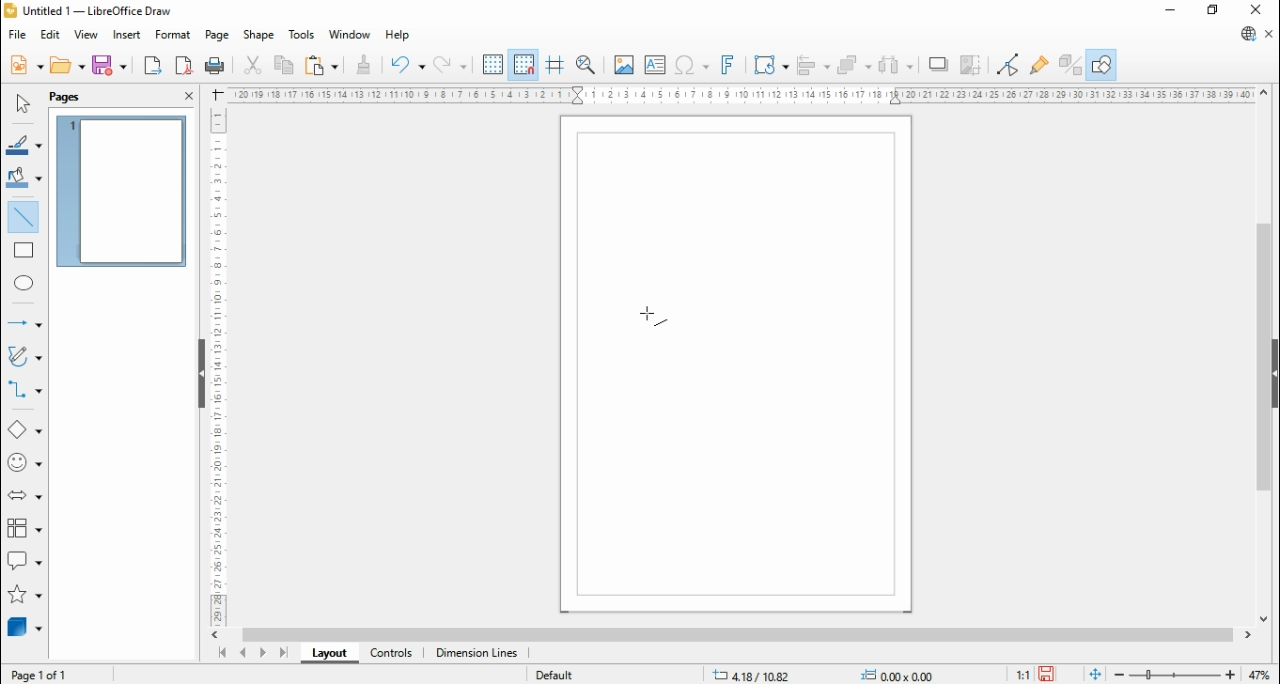 This screenshot has width=1280, height=684. Describe the element at coordinates (1247, 34) in the screenshot. I see `libreoffice update` at that location.